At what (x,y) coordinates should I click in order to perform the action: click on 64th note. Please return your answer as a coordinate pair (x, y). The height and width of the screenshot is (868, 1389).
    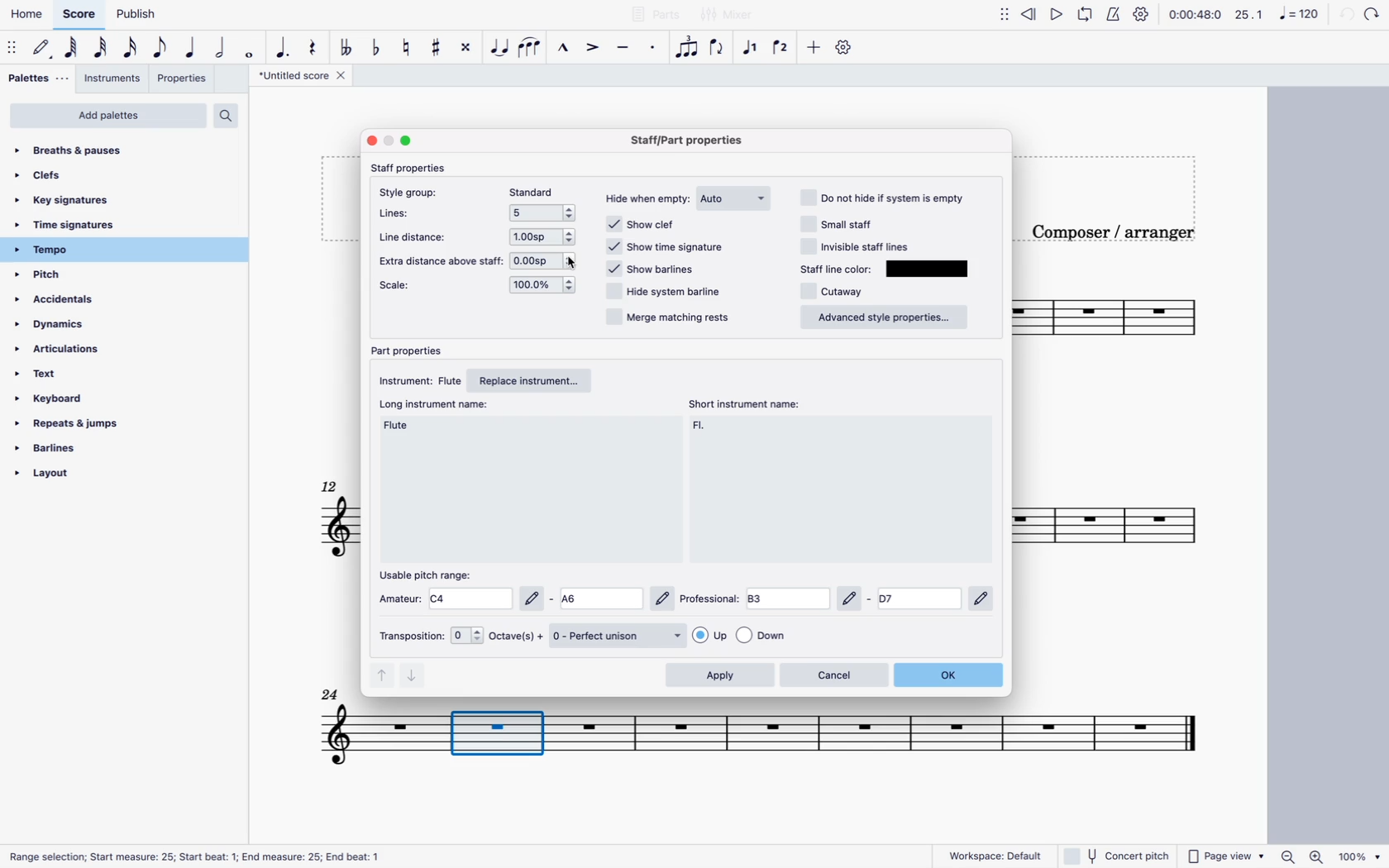
    Looking at the image, I should click on (73, 47).